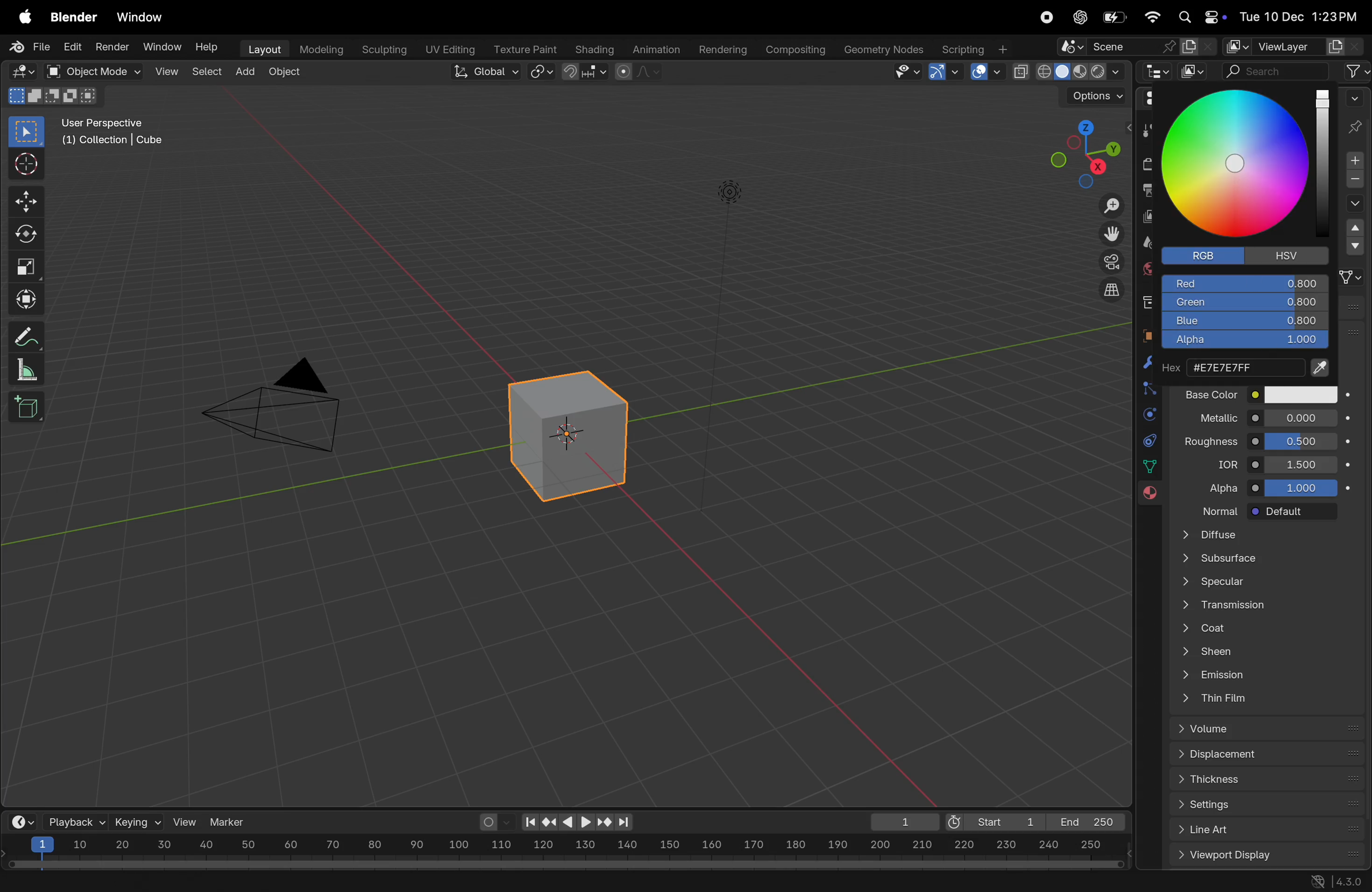 This screenshot has width=1372, height=892. I want to click on blender, so click(74, 18).